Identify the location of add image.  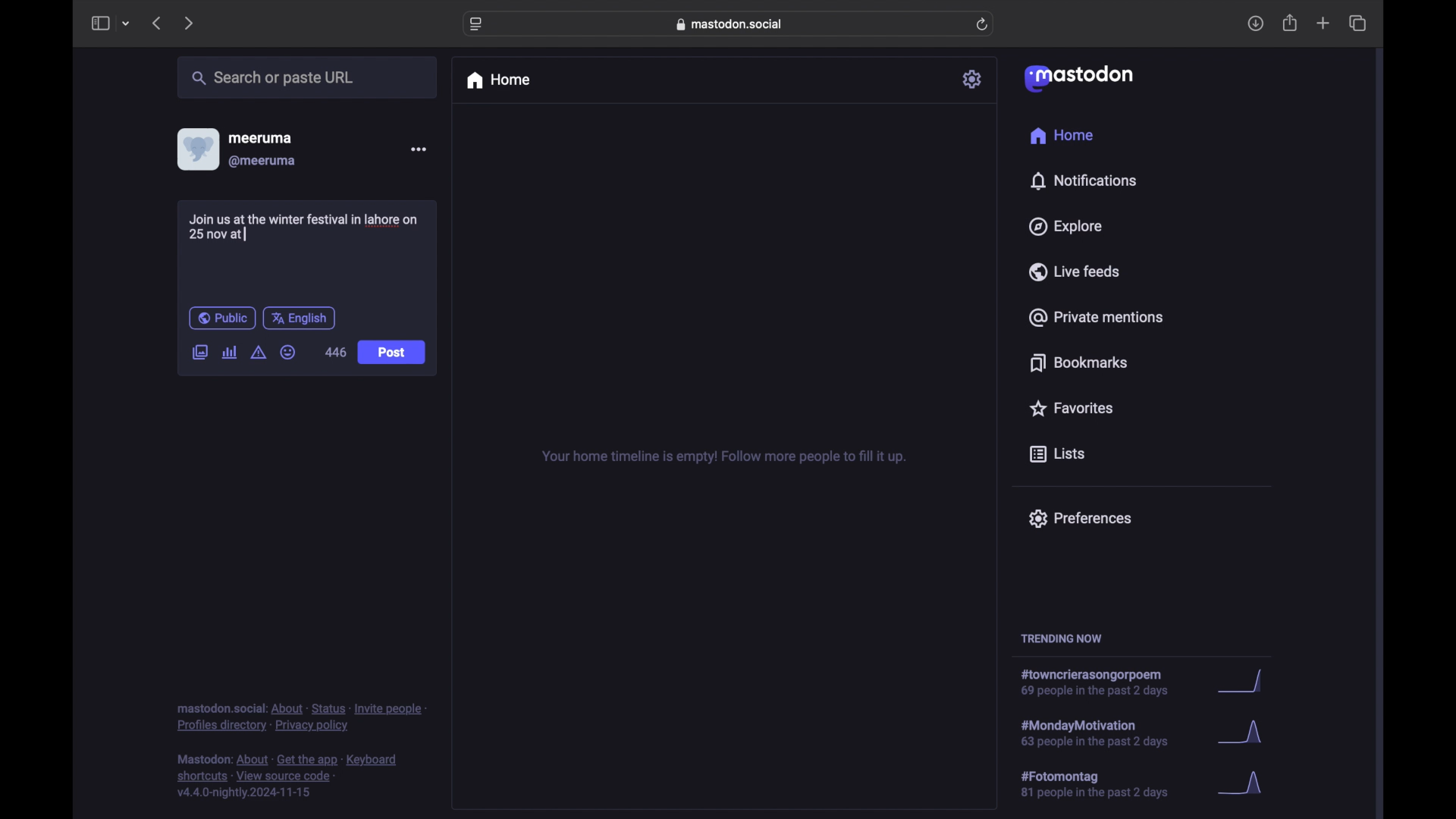
(199, 353).